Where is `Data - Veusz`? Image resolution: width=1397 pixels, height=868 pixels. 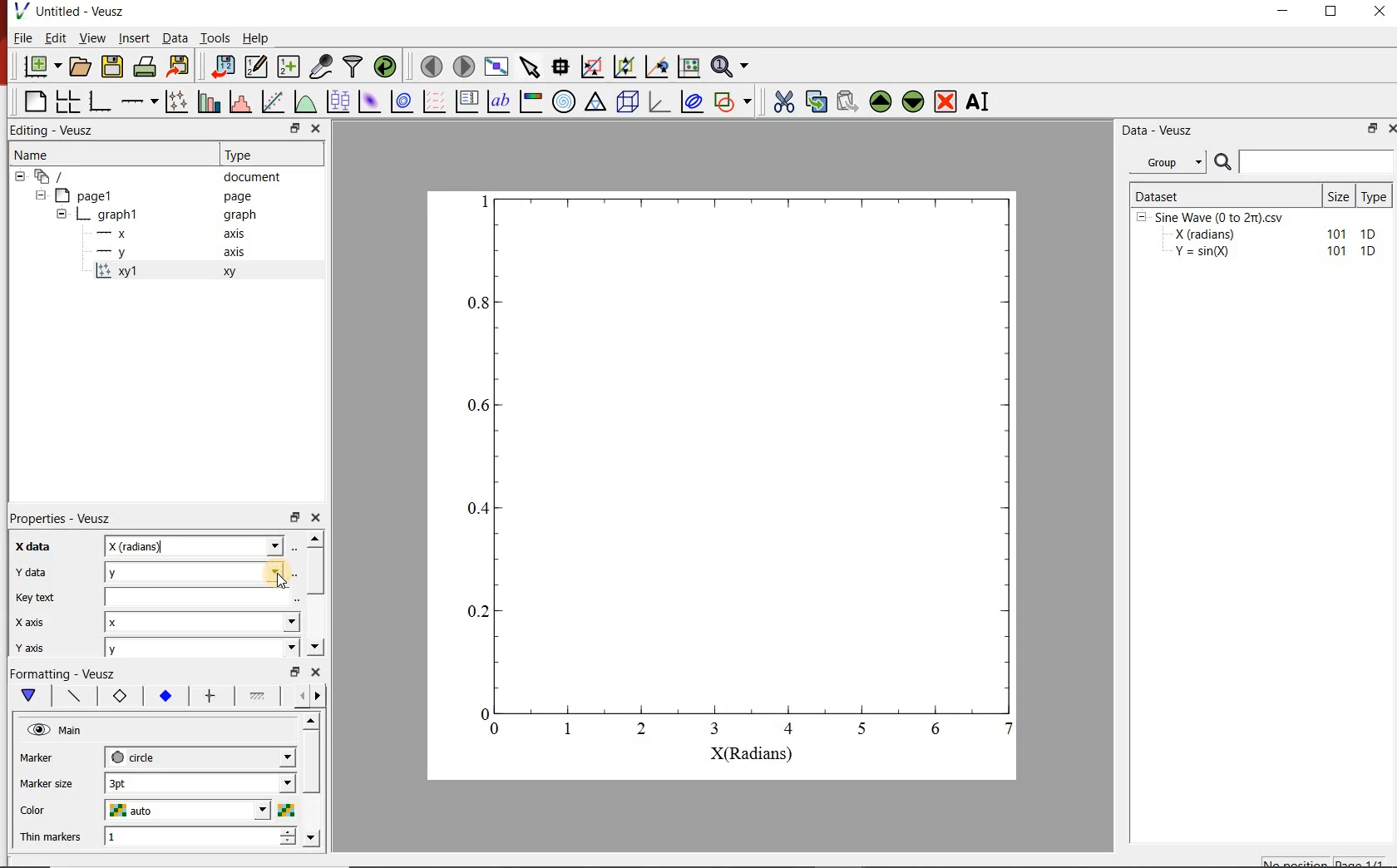
Data - Veusz is located at coordinates (1160, 131).